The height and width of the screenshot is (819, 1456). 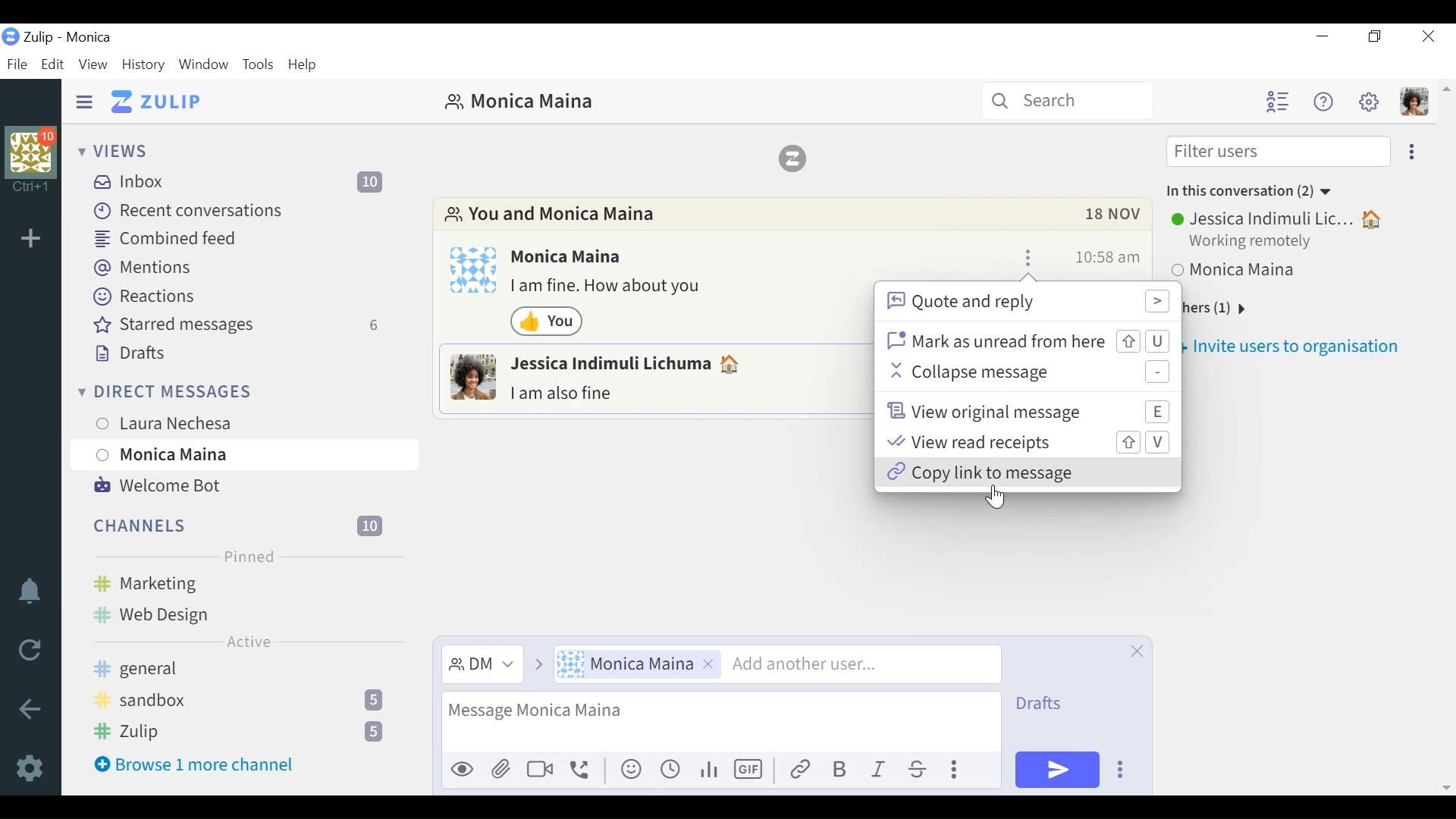 What do you see at coordinates (67, 37) in the screenshot?
I see `Zulip - Monica` at bounding box center [67, 37].